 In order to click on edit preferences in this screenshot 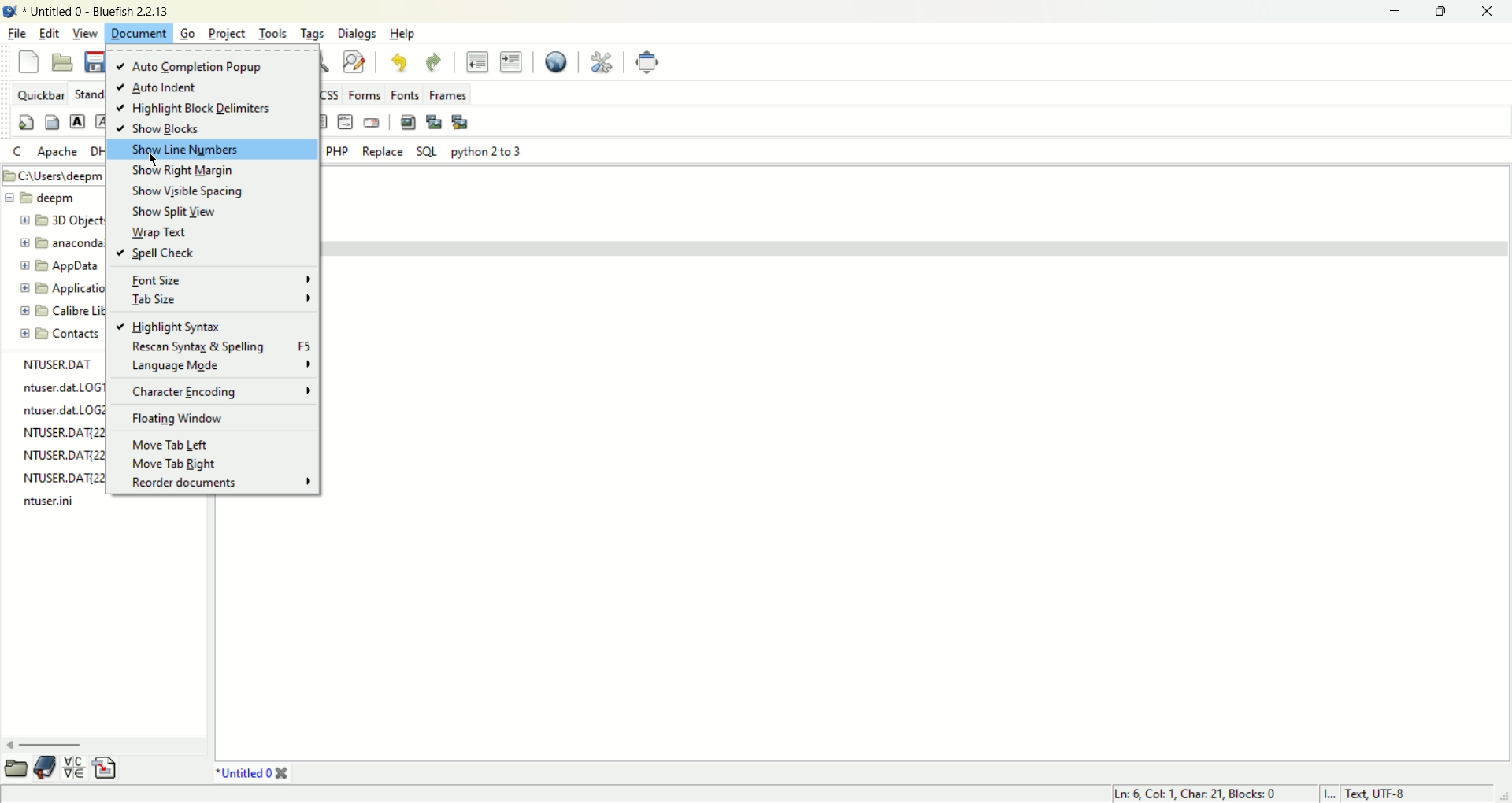, I will do `click(602, 61)`.